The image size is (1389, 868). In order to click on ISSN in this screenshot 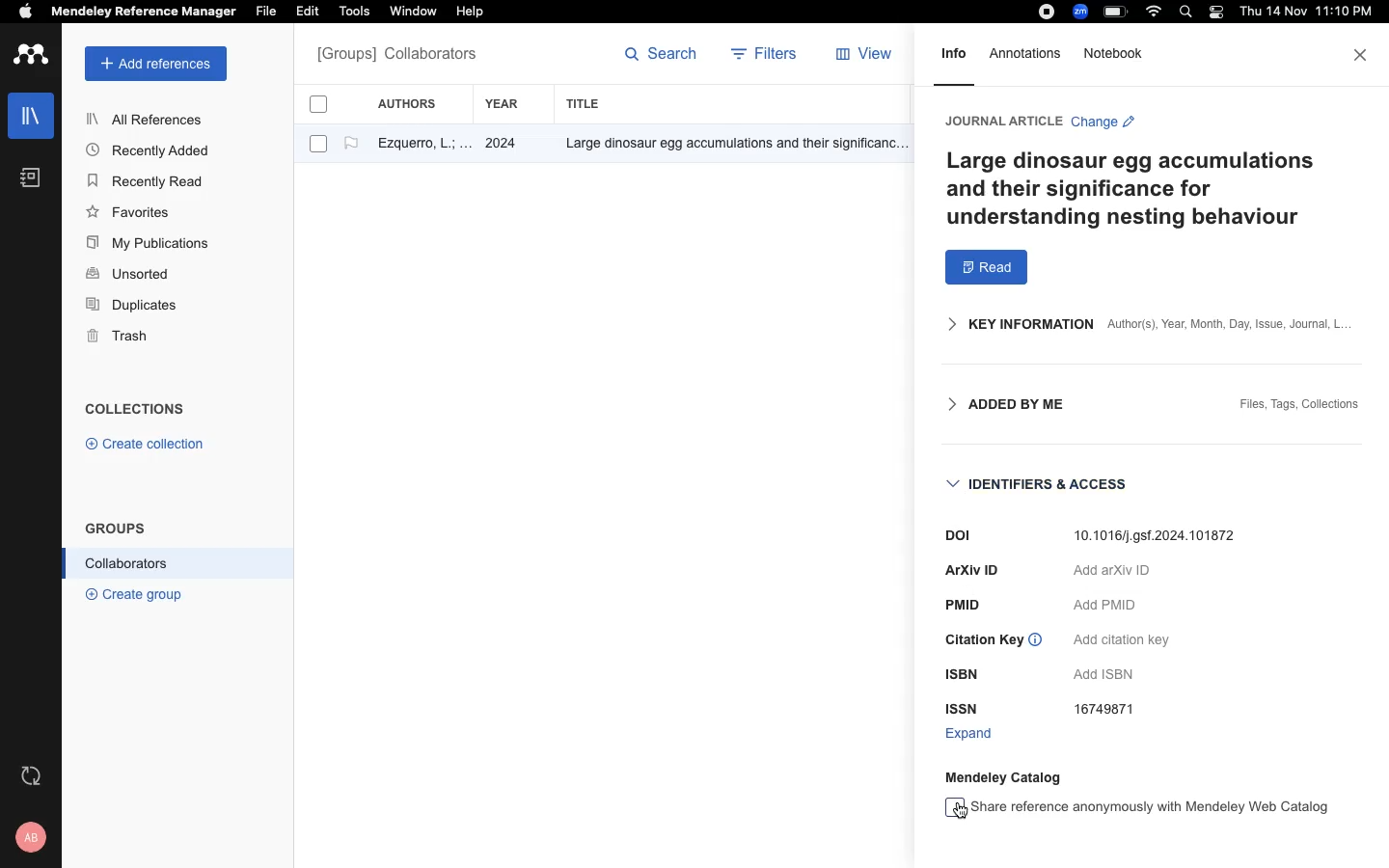, I will do `click(964, 708)`.